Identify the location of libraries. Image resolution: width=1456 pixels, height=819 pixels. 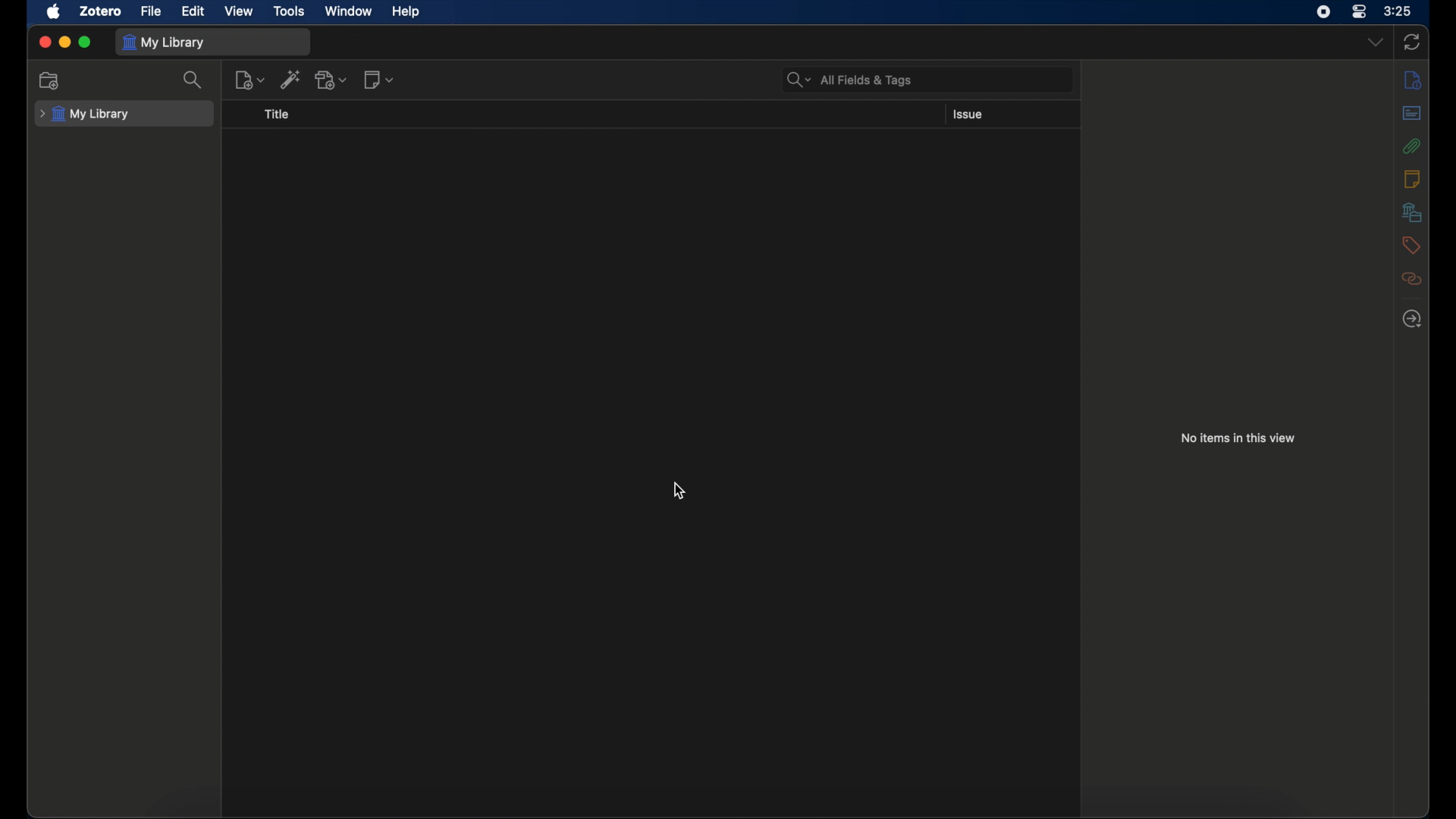
(1411, 212).